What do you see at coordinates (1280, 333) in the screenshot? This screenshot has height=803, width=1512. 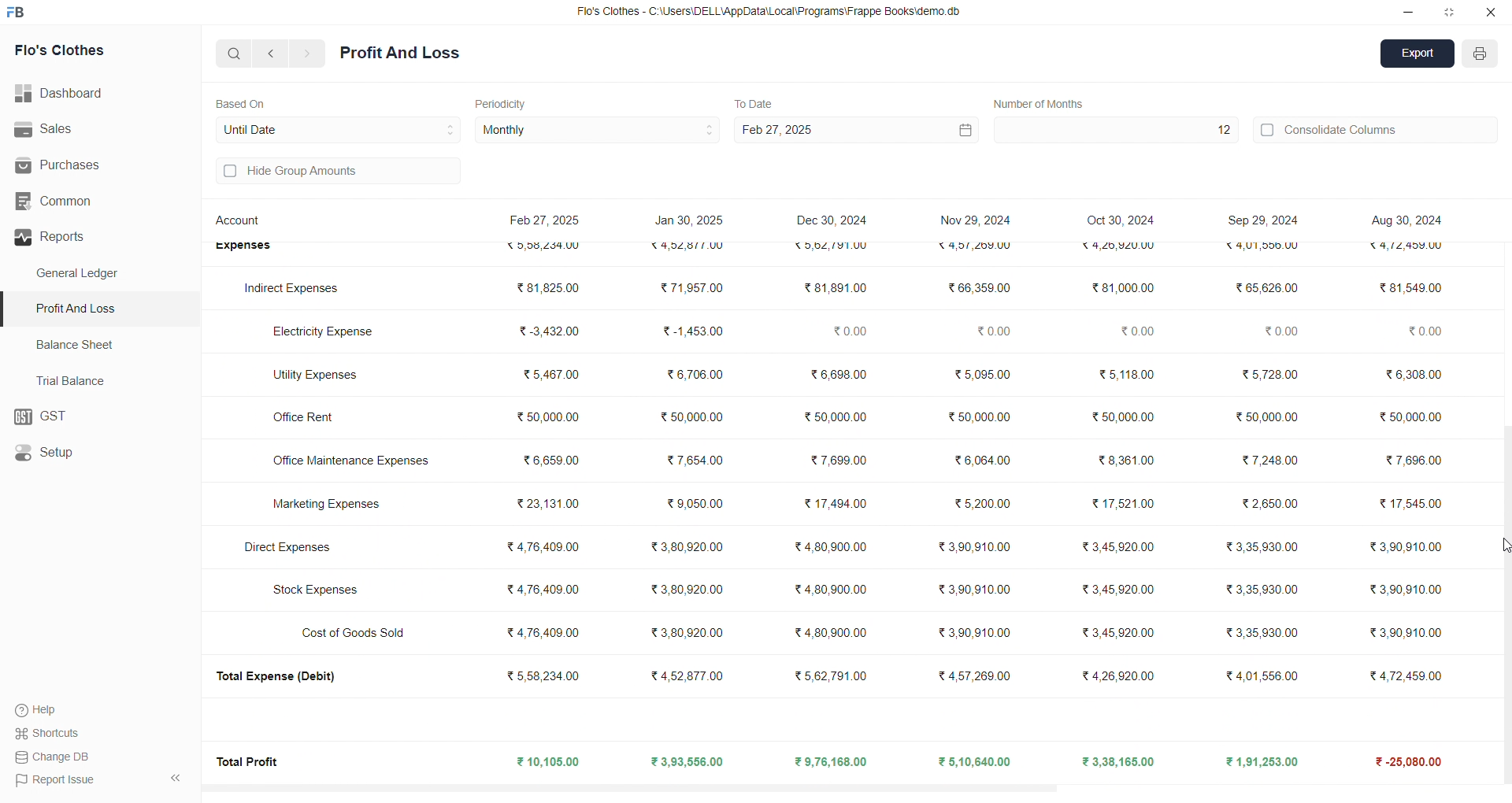 I see `₹0.00` at bounding box center [1280, 333].